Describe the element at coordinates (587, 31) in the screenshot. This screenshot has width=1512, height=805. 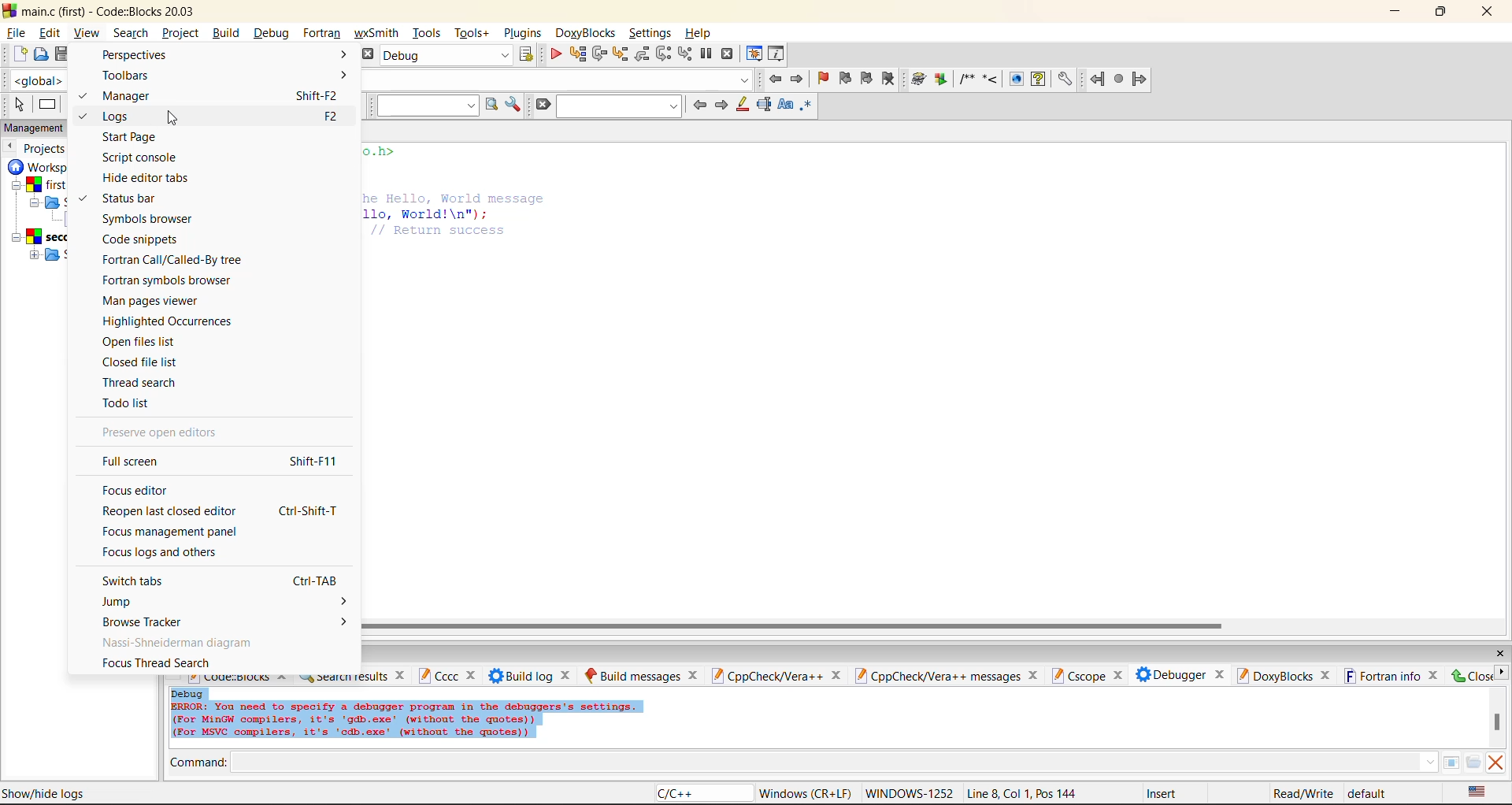
I see `doxyblocks` at that location.